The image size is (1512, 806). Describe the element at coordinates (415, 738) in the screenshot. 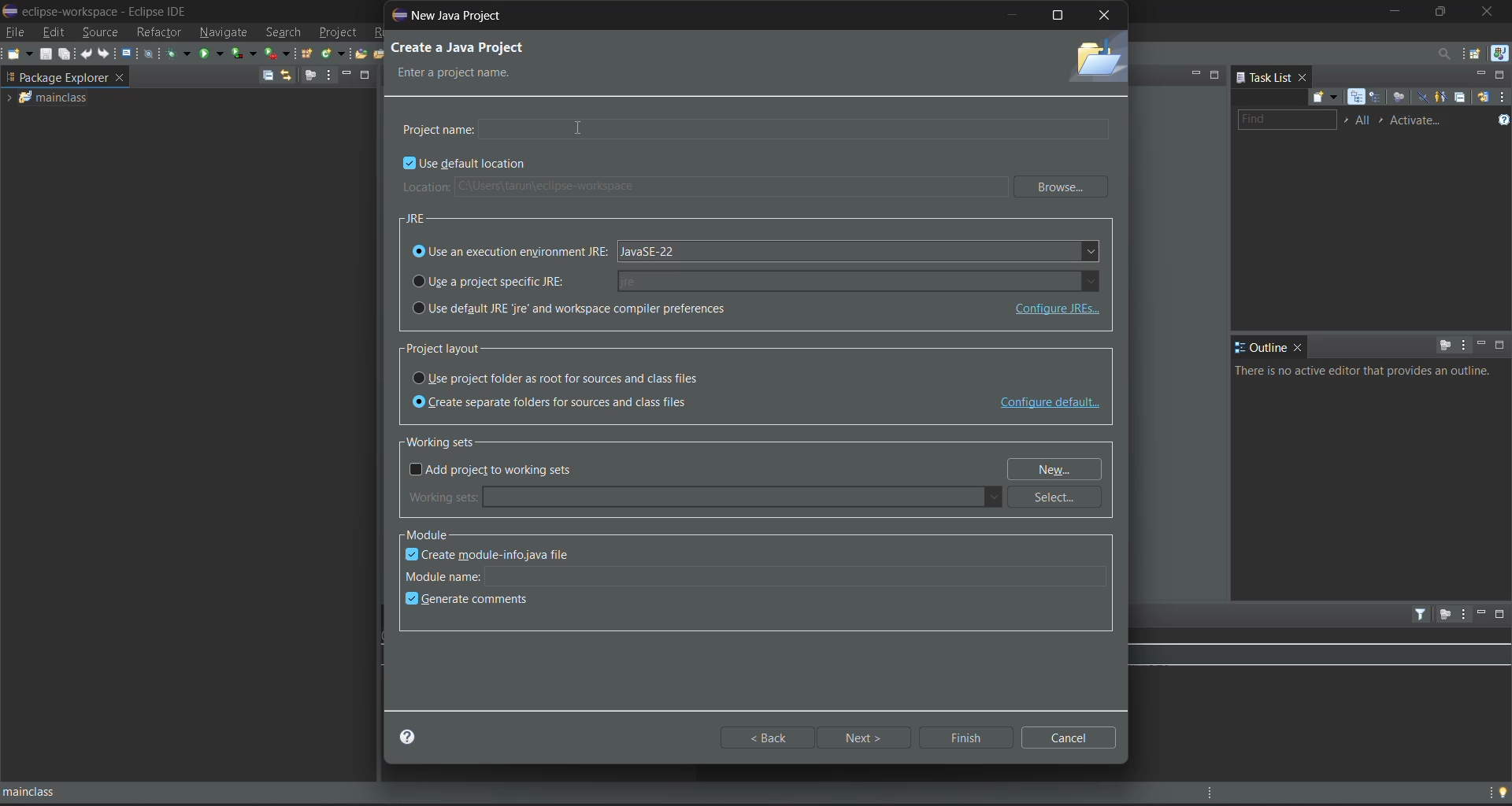

I see `help` at that location.